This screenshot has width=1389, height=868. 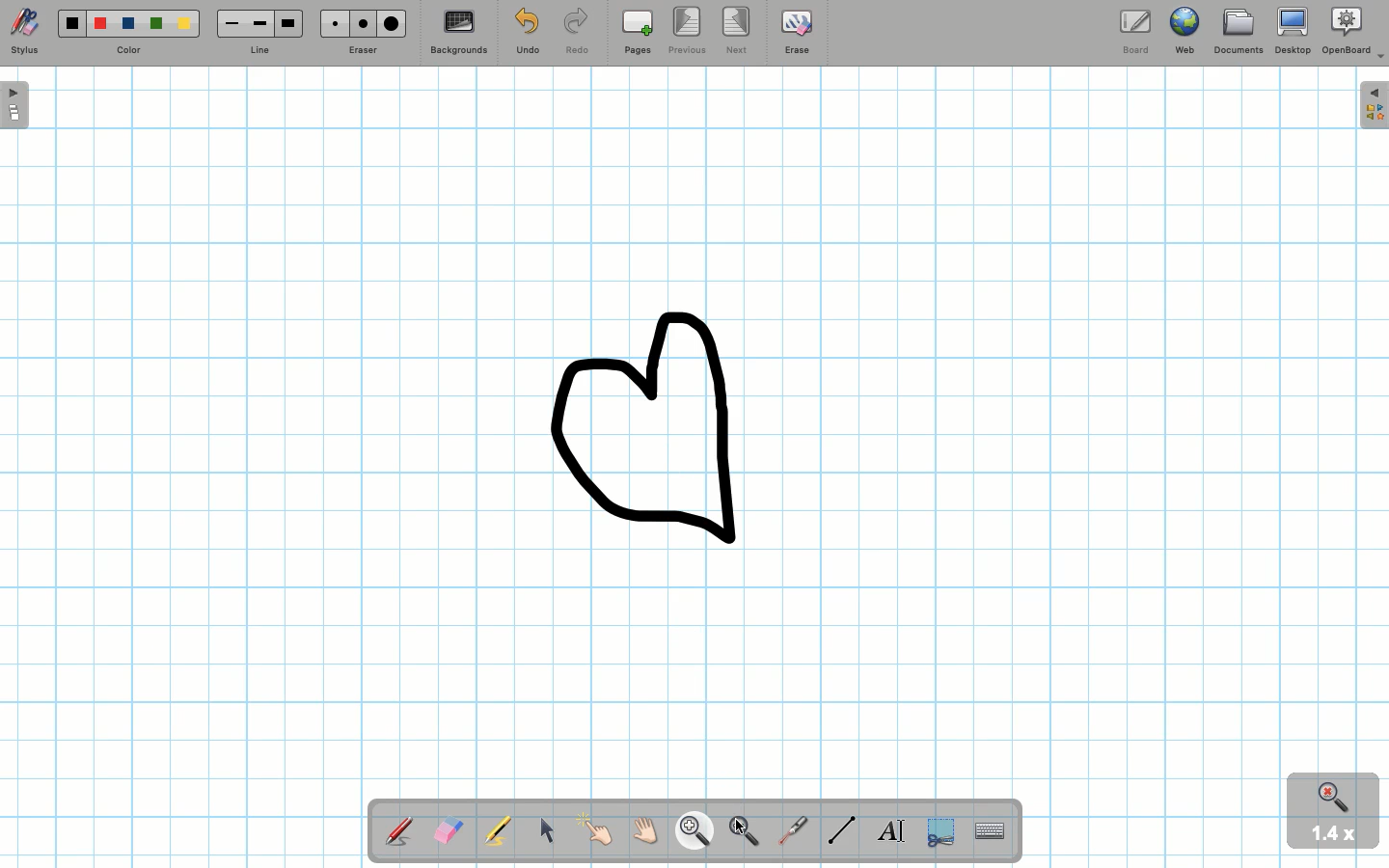 What do you see at coordinates (1237, 32) in the screenshot?
I see `Documents` at bounding box center [1237, 32].